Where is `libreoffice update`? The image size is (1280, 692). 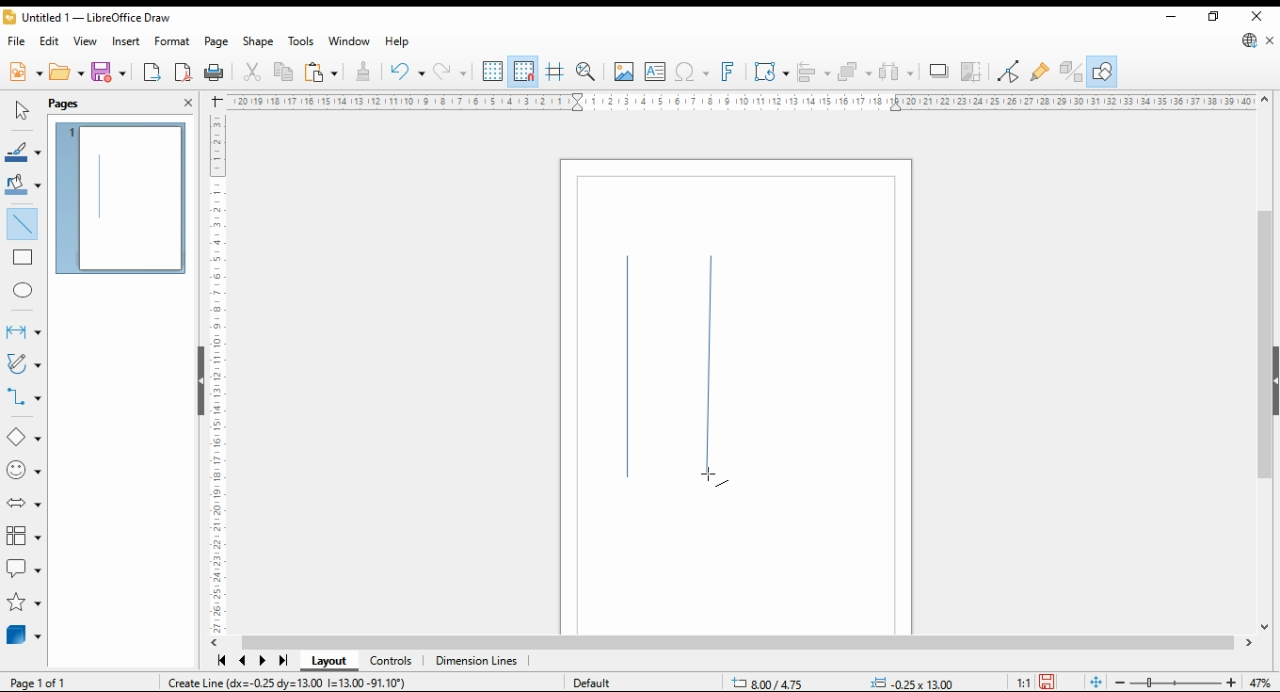
libreoffice update is located at coordinates (1248, 41).